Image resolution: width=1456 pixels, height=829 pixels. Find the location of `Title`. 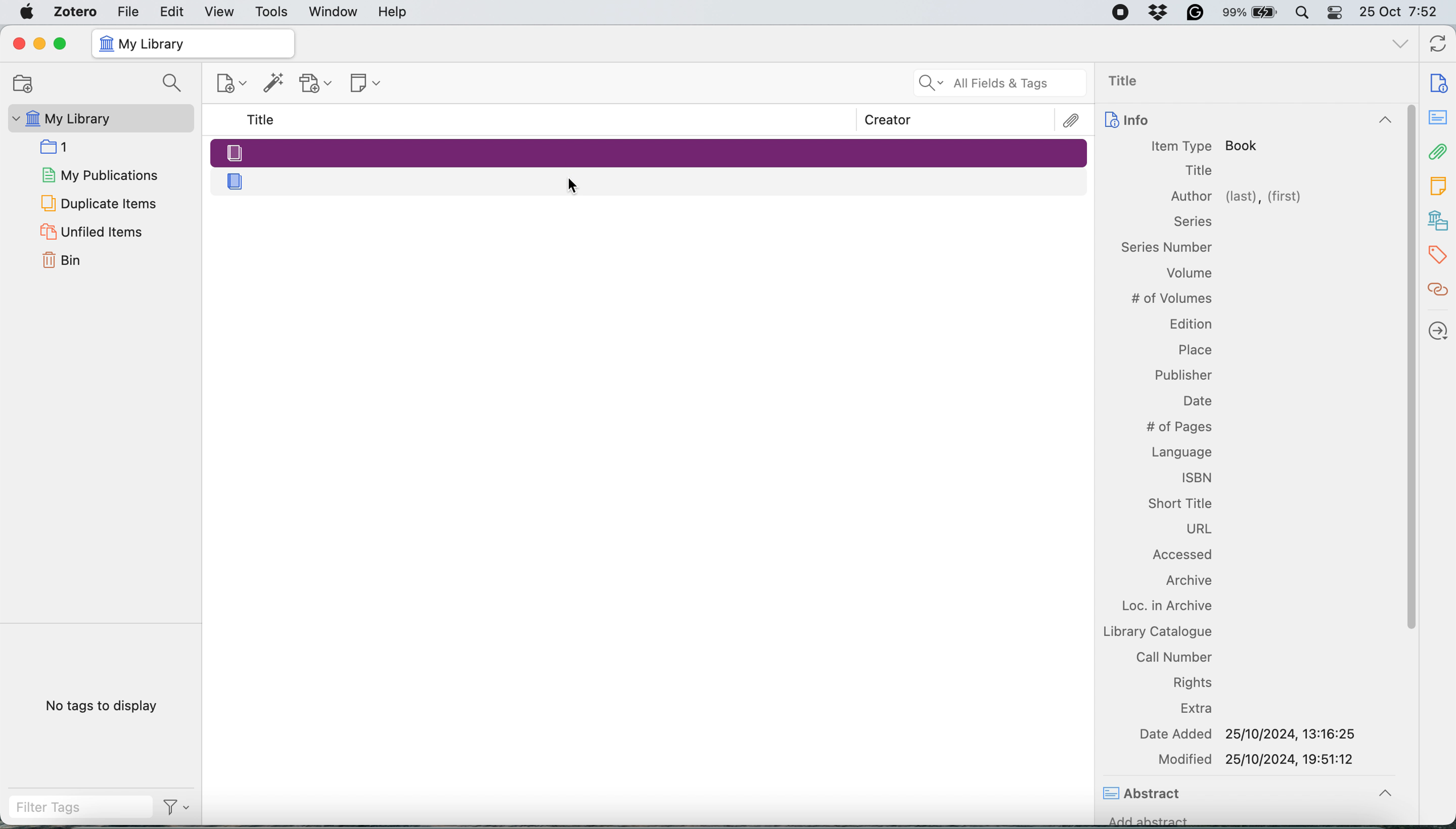

Title is located at coordinates (1129, 82).